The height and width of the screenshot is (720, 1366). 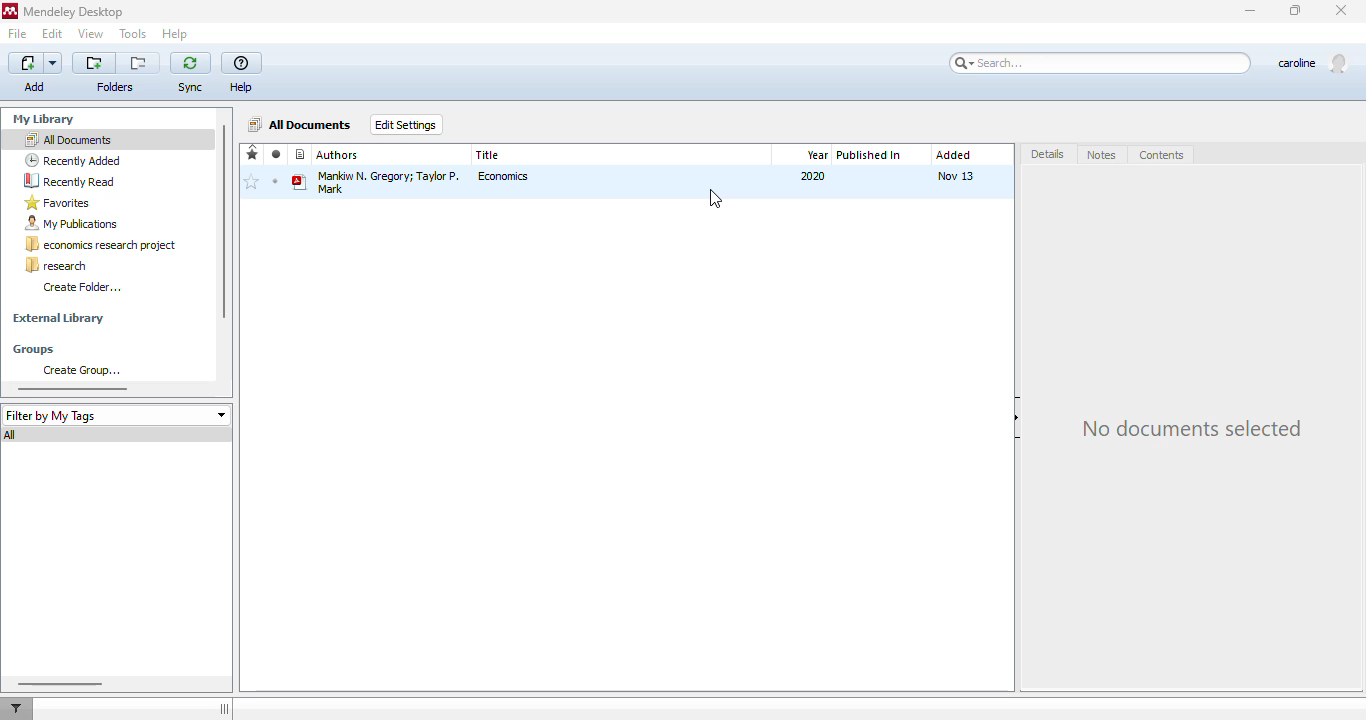 What do you see at coordinates (61, 684) in the screenshot?
I see `horizontal scroll bar` at bounding box center [61, 684].